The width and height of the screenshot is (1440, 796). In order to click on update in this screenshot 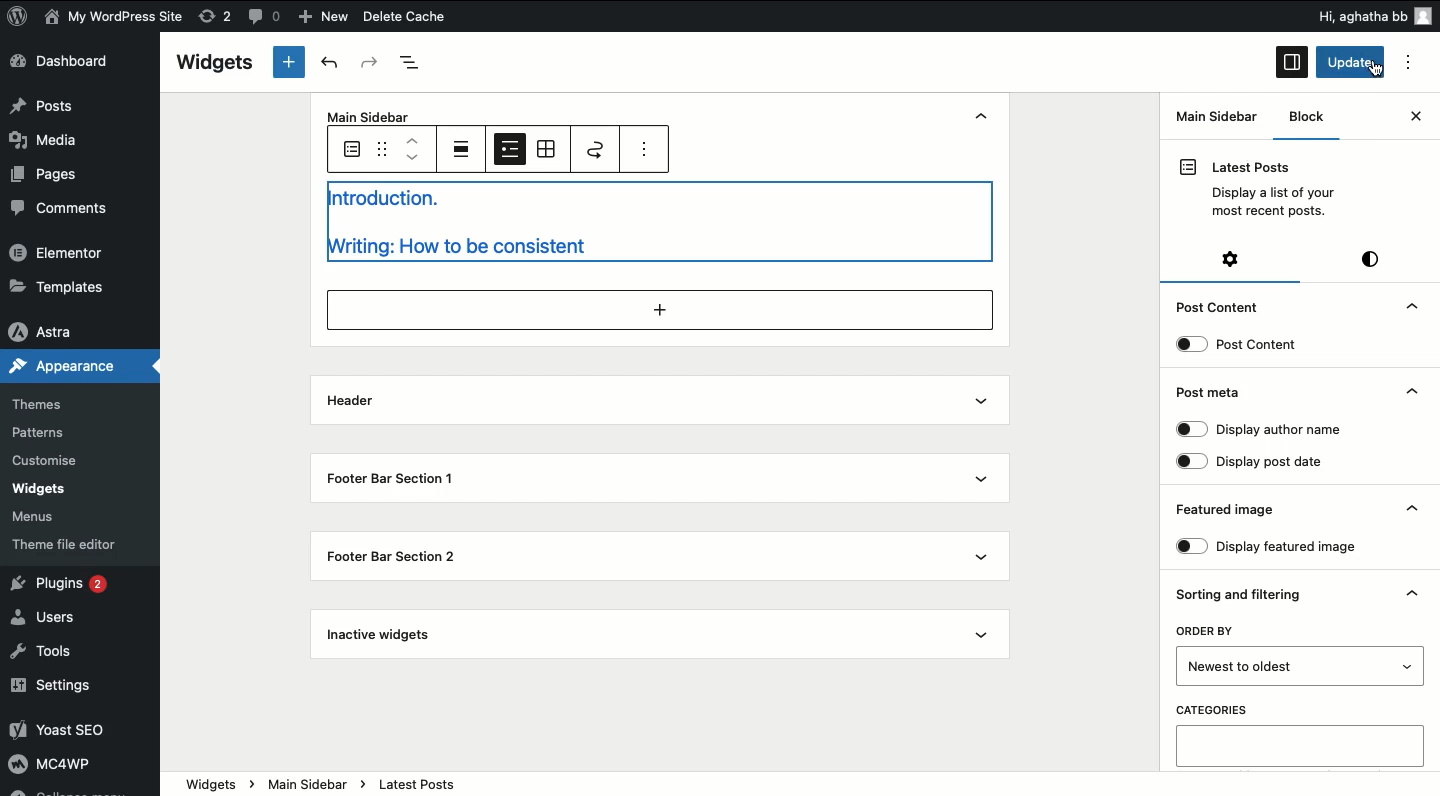, I will do `click(1353, 60)`.